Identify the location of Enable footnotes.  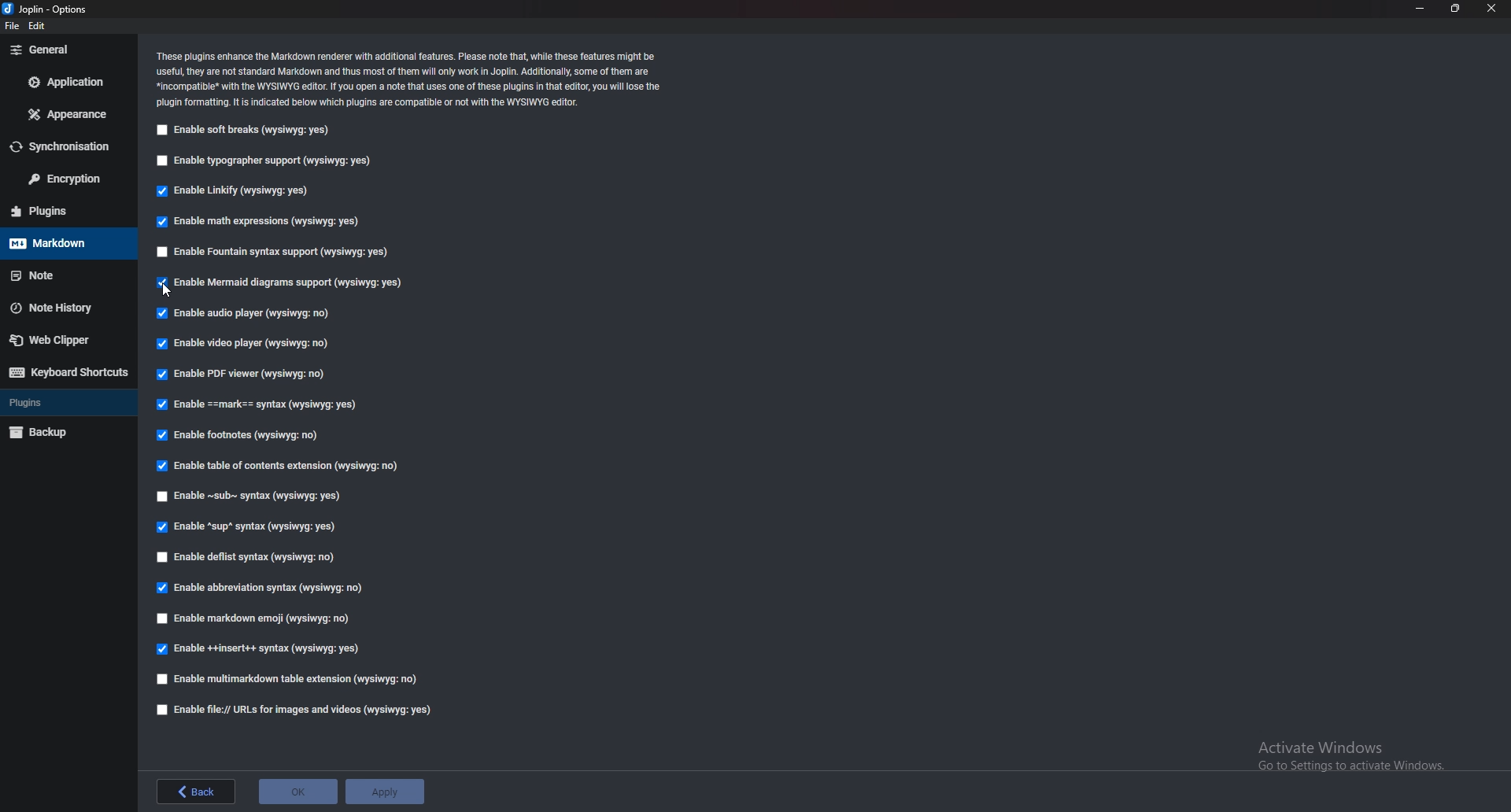
(245, 434).